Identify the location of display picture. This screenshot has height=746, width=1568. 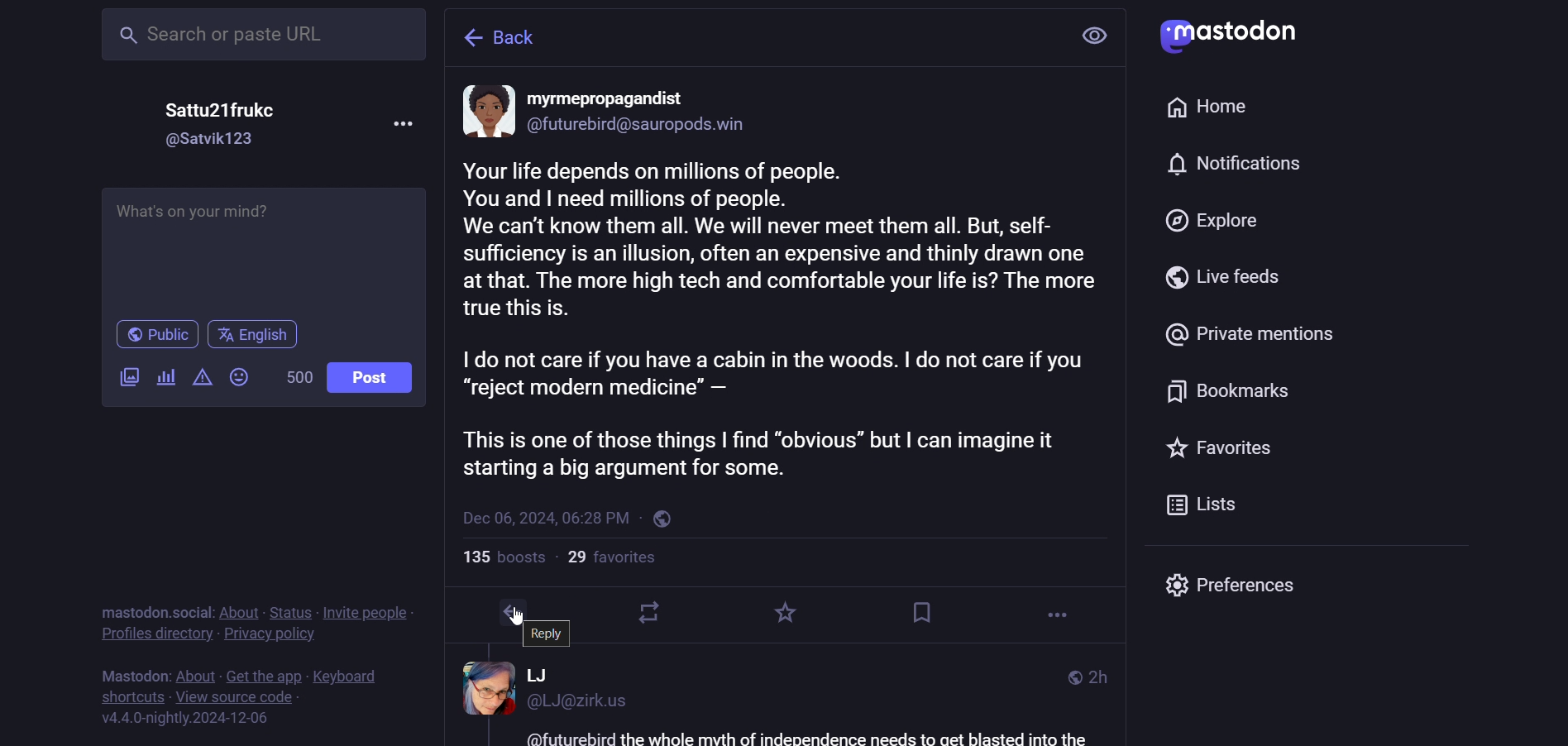
(485, 112).